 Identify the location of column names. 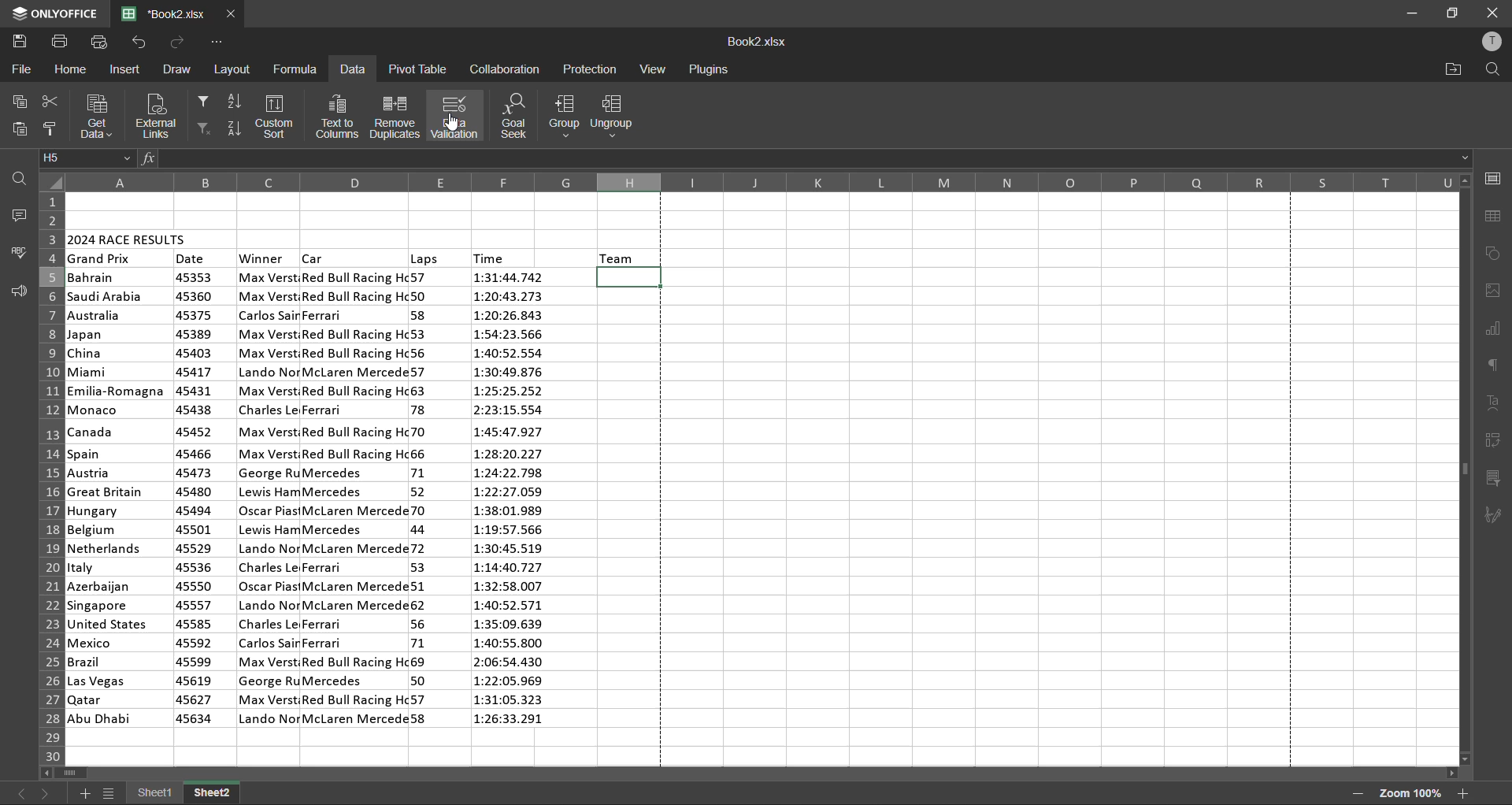
(762, 182).